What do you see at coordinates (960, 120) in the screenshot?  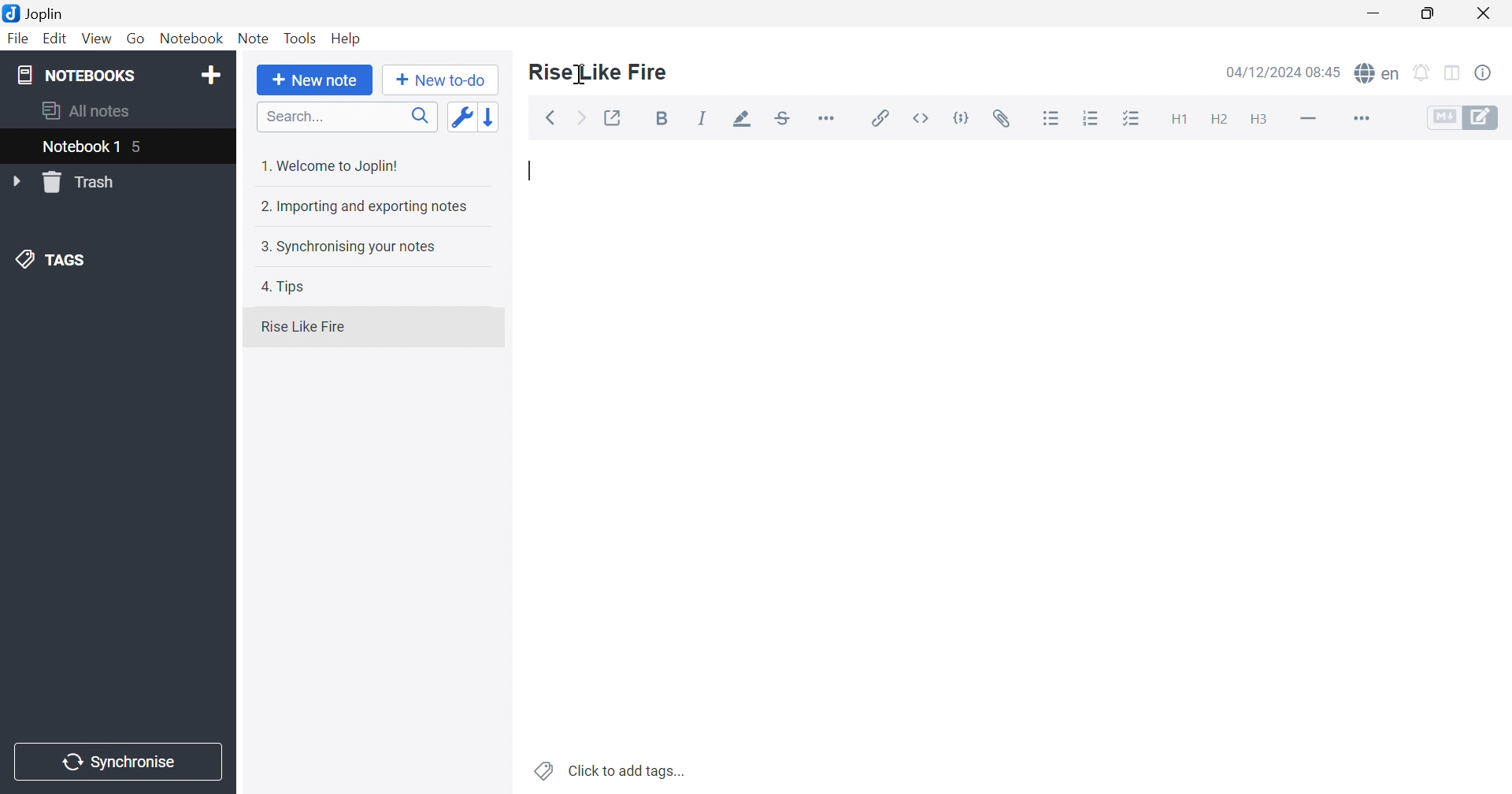 I see `Code` at bounding box center [960, 120].